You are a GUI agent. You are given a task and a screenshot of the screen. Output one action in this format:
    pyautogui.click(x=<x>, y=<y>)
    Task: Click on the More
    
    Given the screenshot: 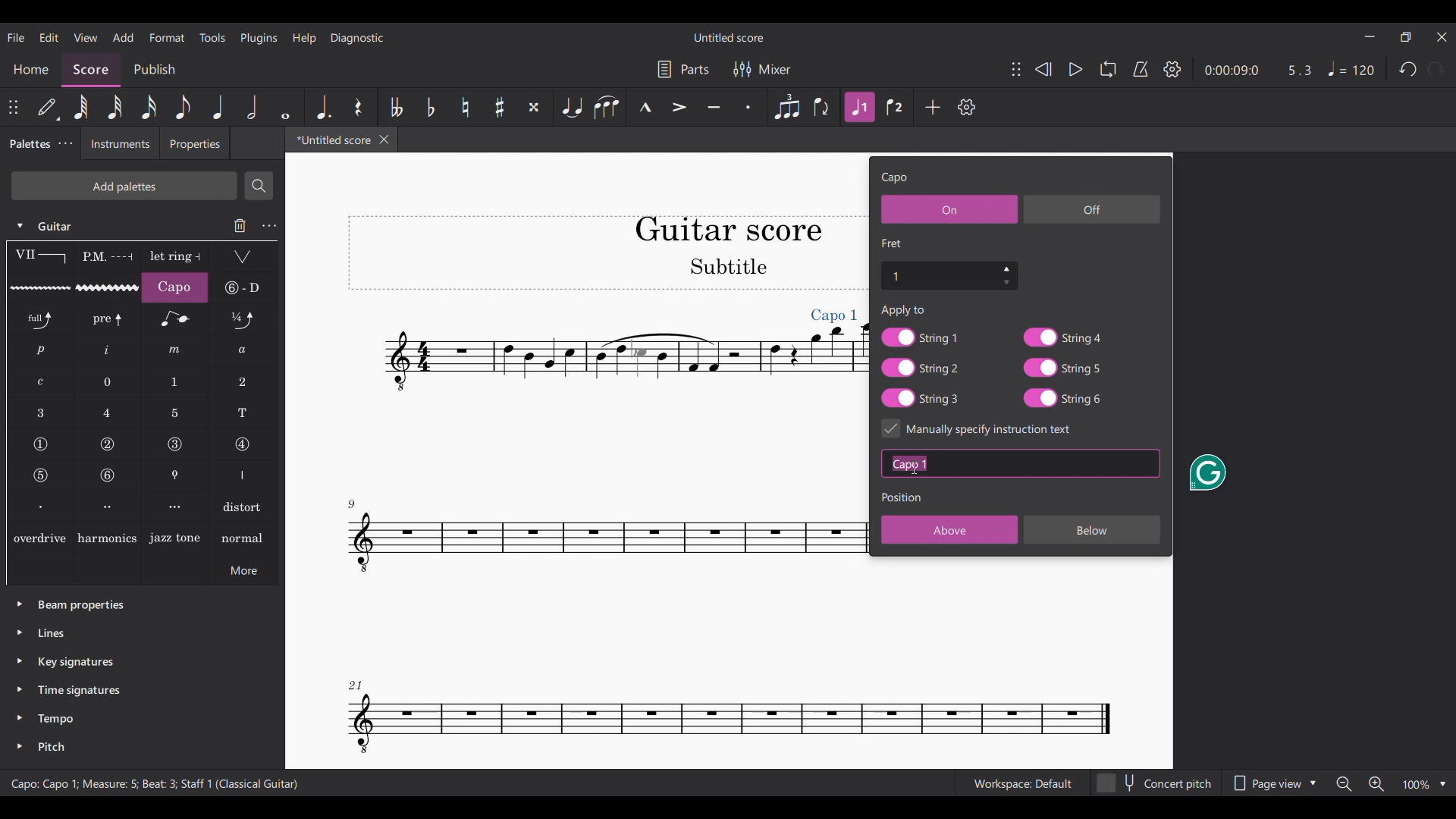 What is the action you would take?
    pyautogui.click(x=243, y=570)
    